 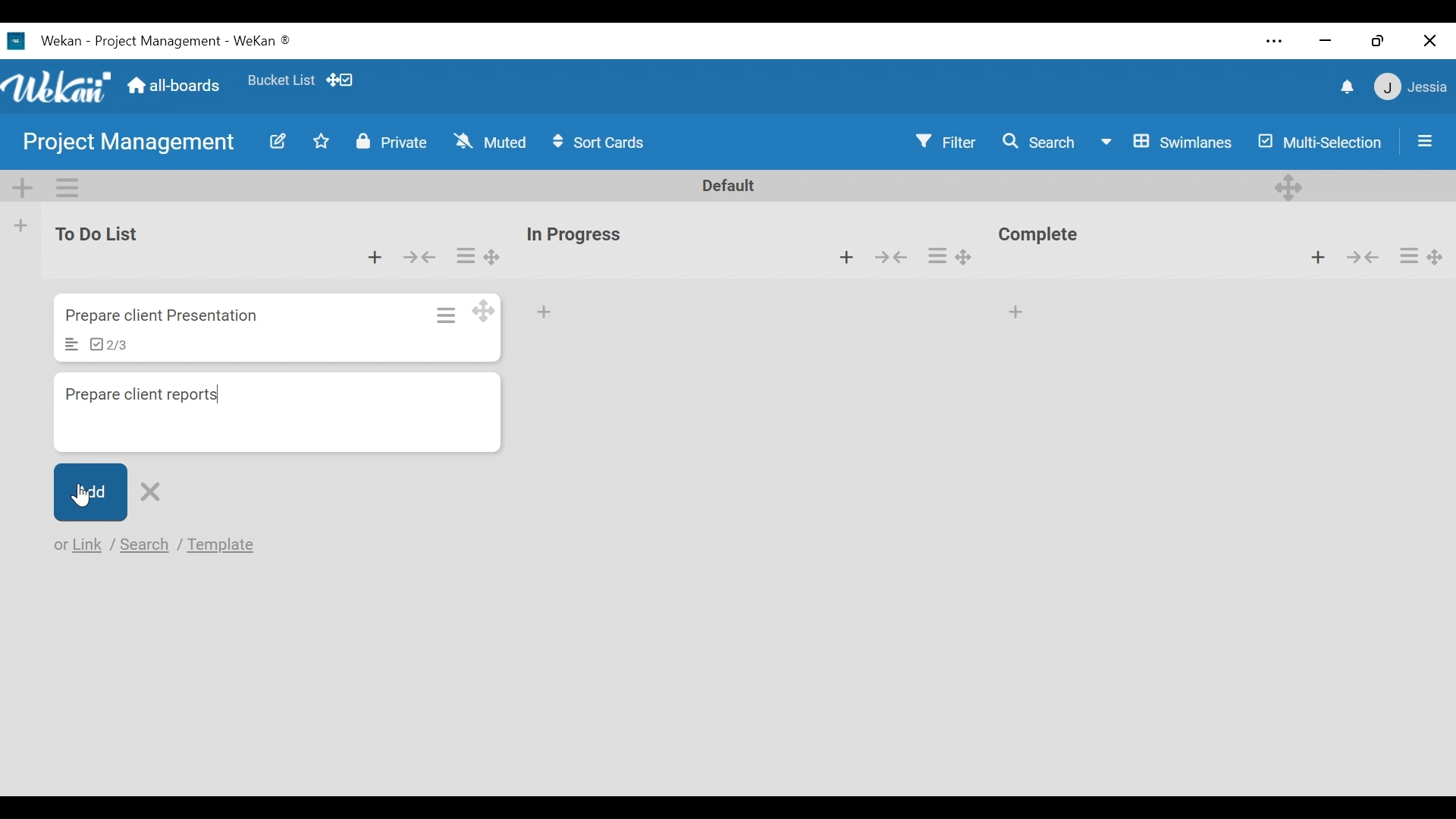 I want to click on Add card to top of the list, so click(x=845, y=258).